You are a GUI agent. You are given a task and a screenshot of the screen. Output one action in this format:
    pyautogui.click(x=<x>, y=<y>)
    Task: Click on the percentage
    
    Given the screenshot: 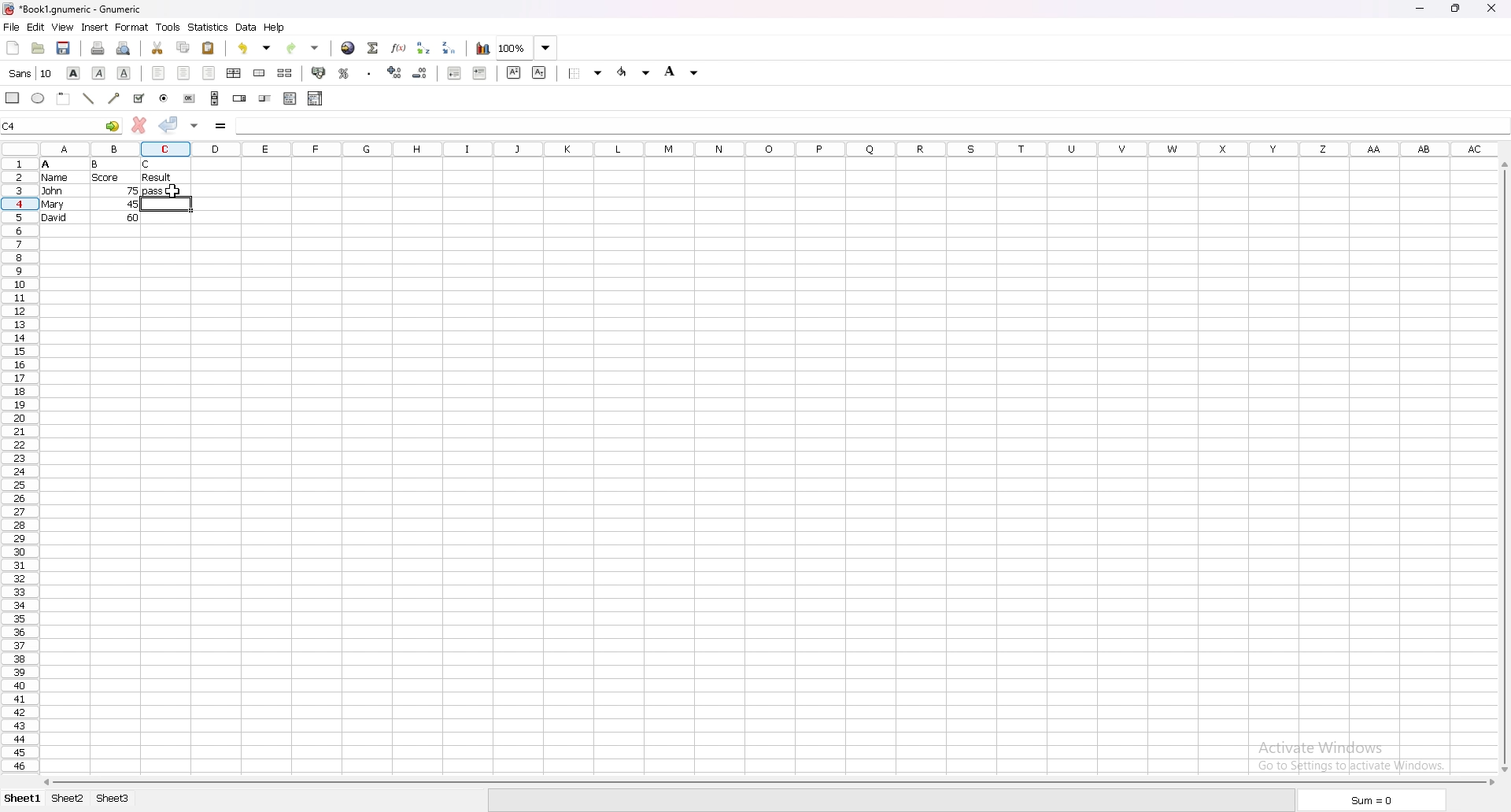 What is the action you would take?
    pyautogui.click(x=345, y=74)
    